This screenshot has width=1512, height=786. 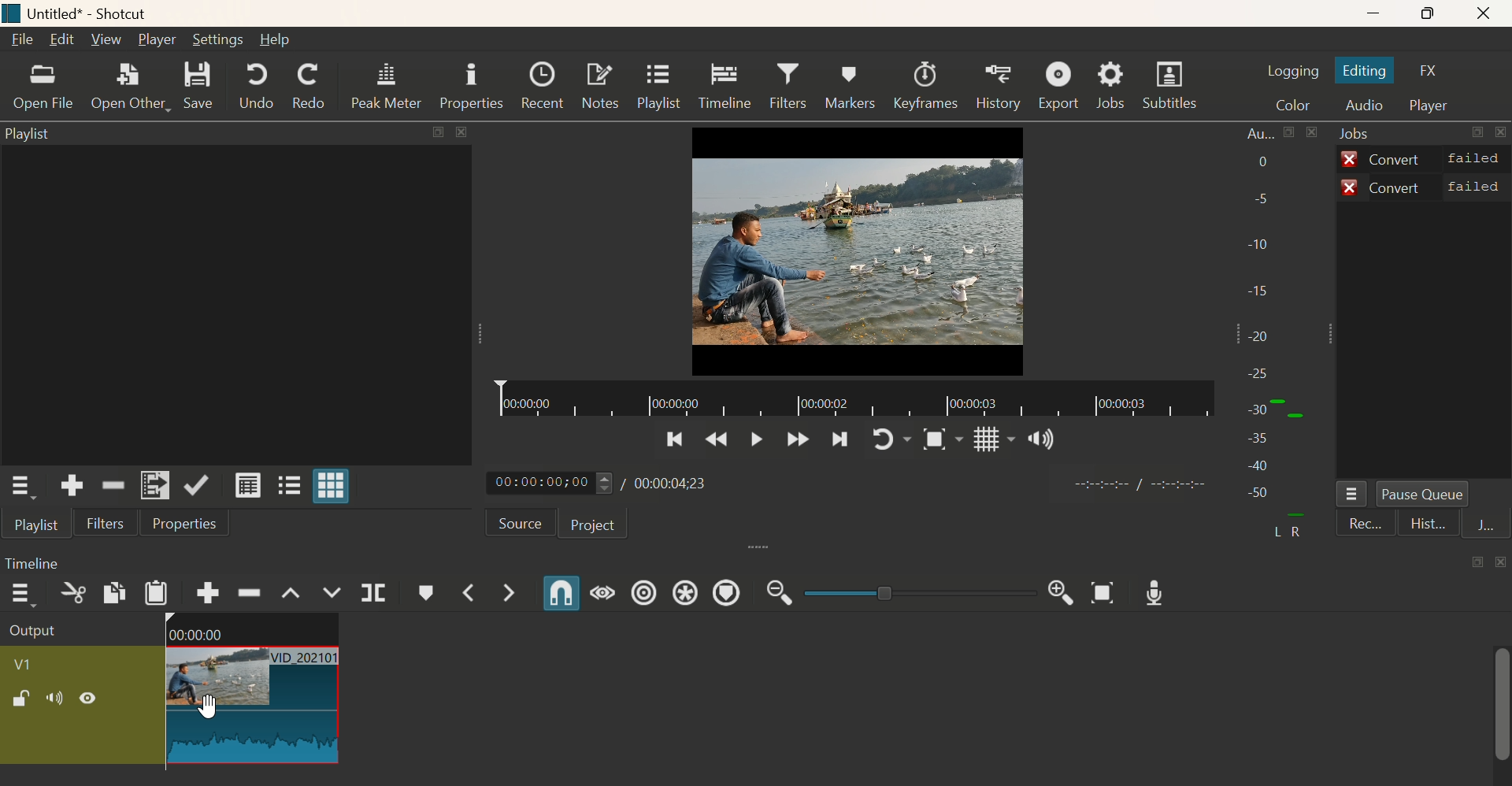 What do you see at coordinates (541, 87) in the screenshot?
I see `Recent` at bounding box center [541, 87].